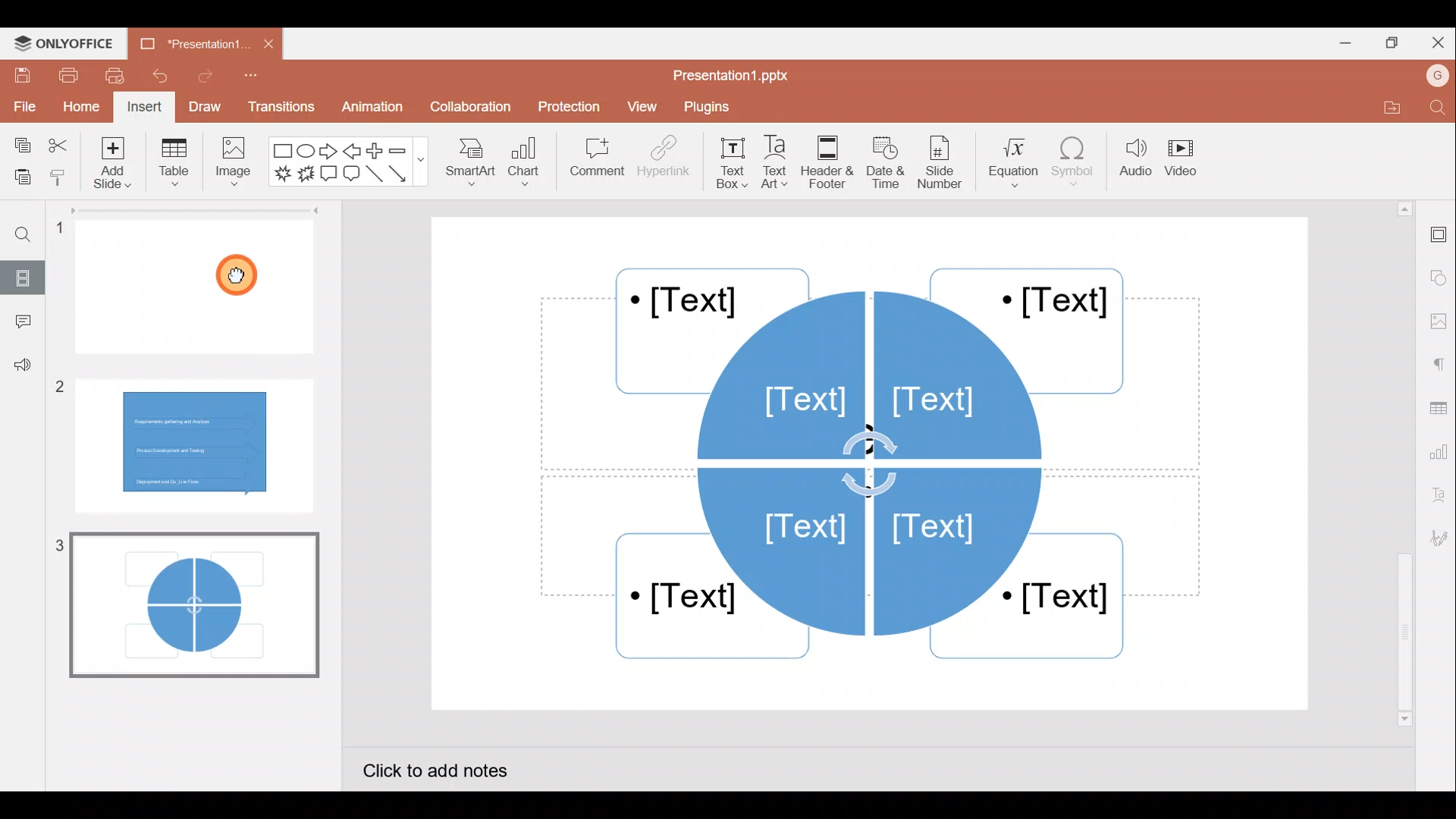  I want to click on Slide 1, so click(201, 285).